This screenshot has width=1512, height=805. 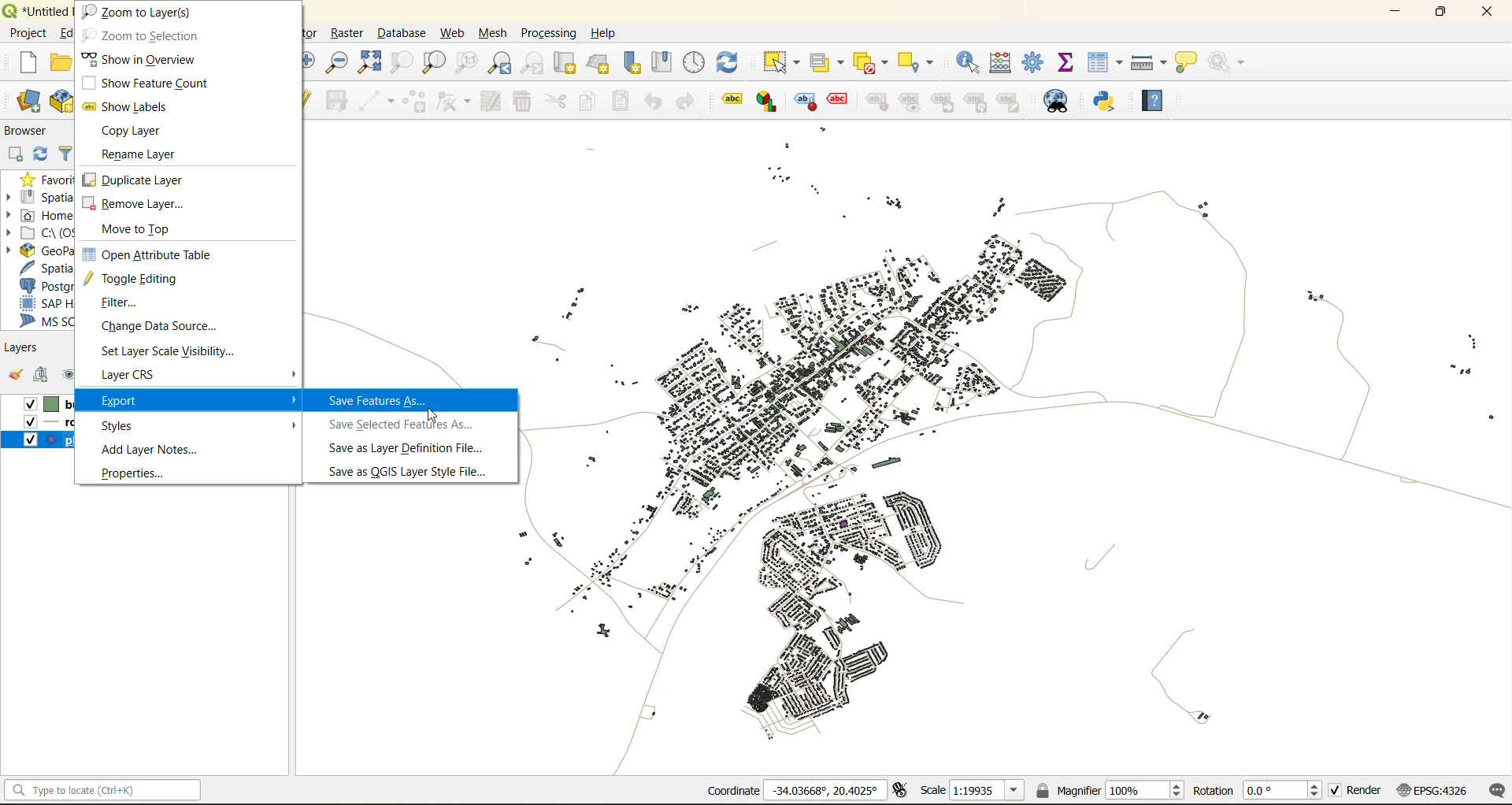 I want to click on coordinates, so click(x=795, y=790).